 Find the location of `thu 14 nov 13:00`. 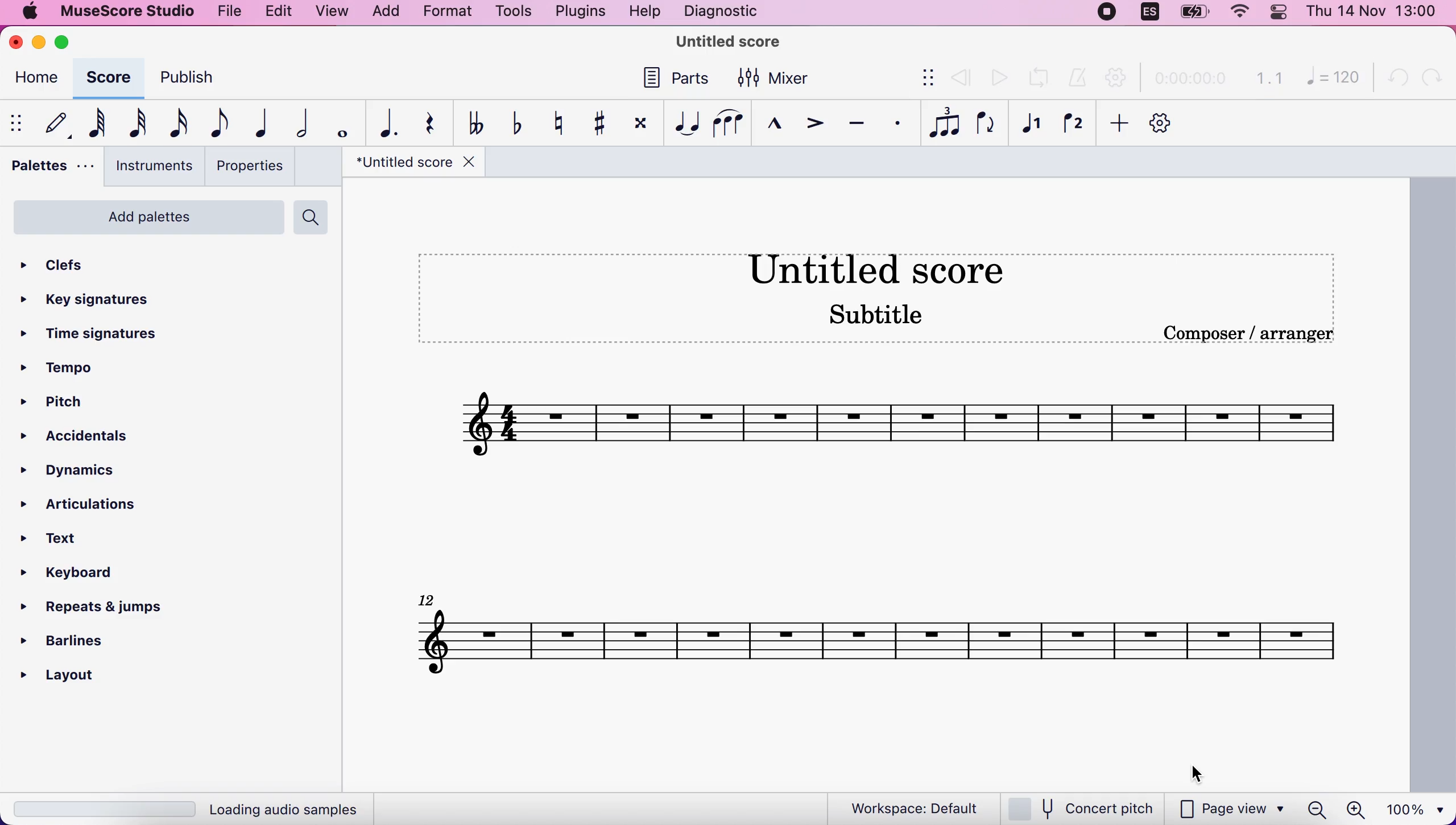

thu 14 nov 13:00 is located at coordinates (1373, 13).